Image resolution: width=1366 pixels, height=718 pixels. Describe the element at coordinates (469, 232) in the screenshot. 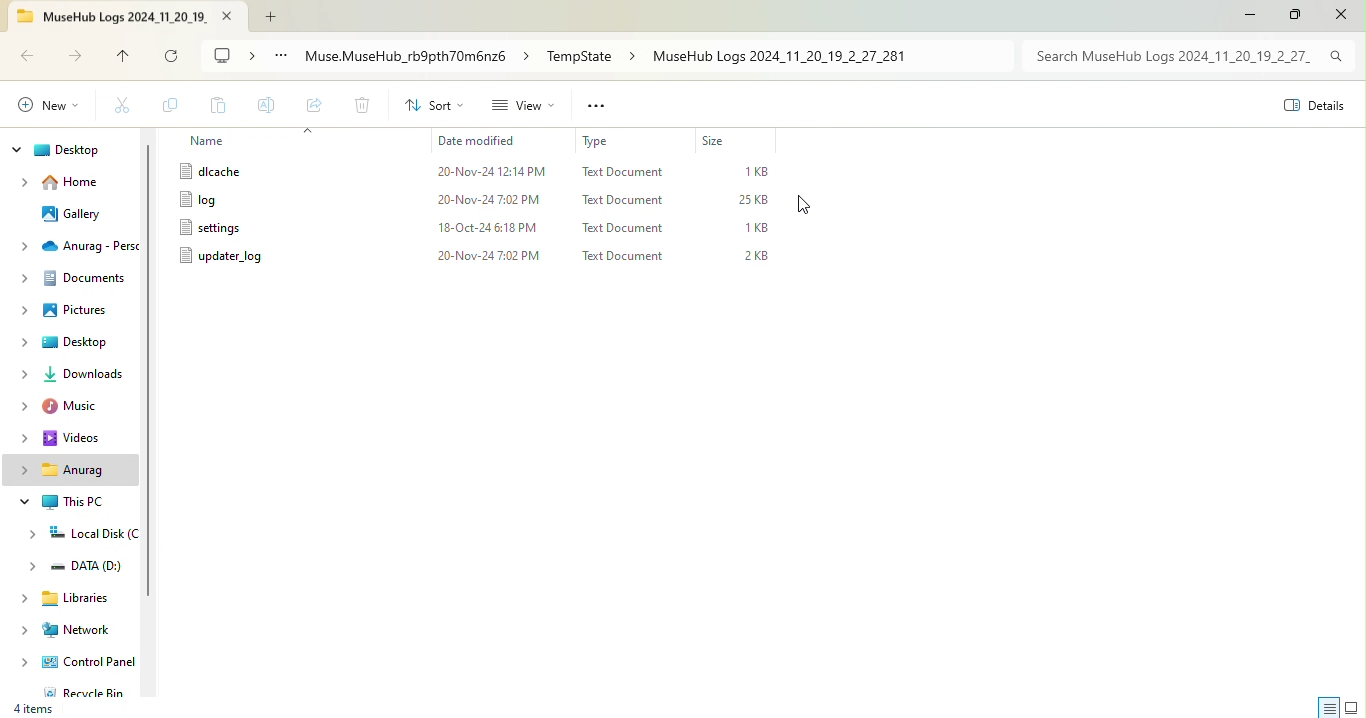

I see `File` at that location.